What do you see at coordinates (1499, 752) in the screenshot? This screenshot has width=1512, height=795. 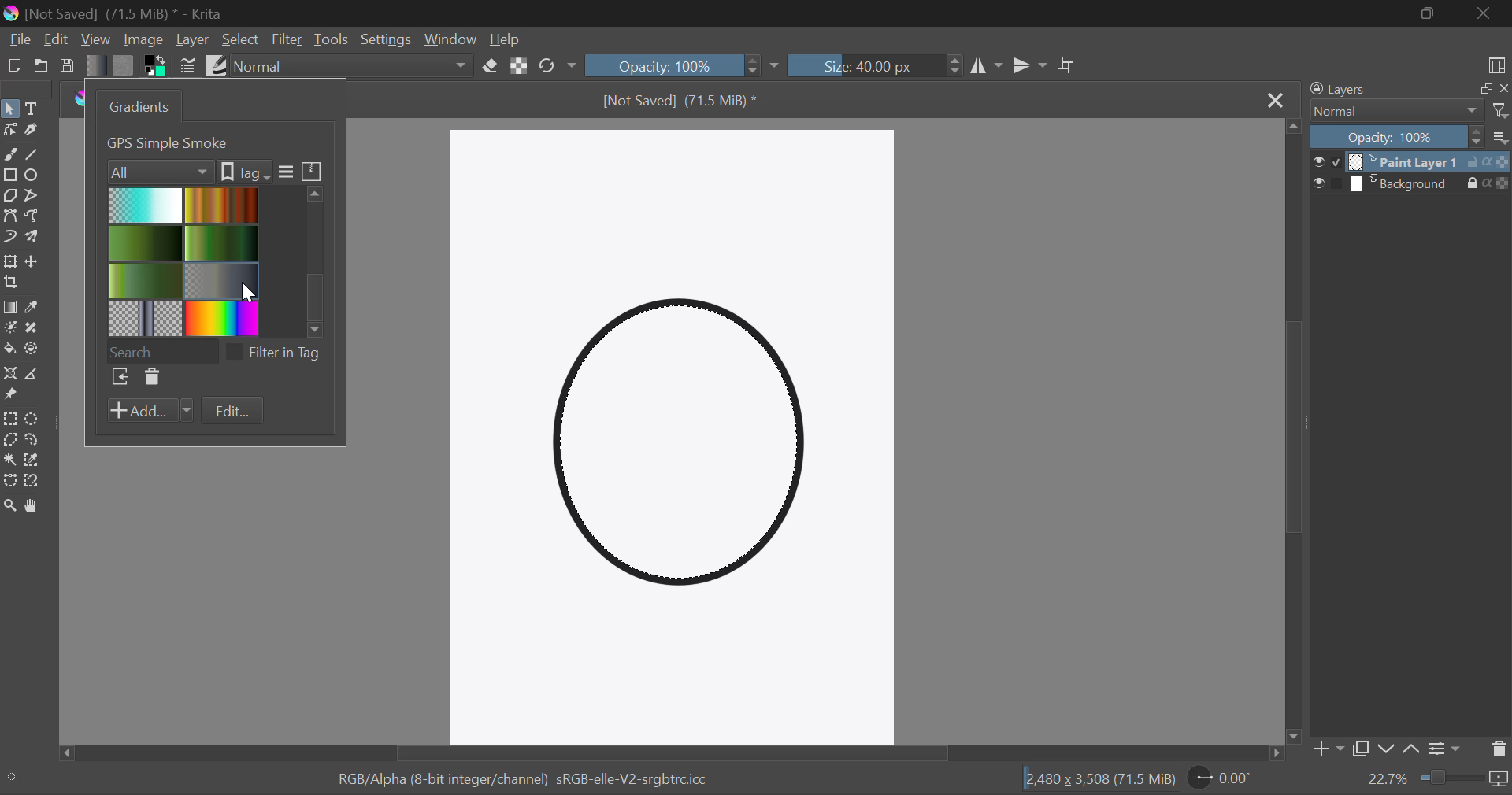 I see `Delete Layer` at bounding box center [1499, 752].